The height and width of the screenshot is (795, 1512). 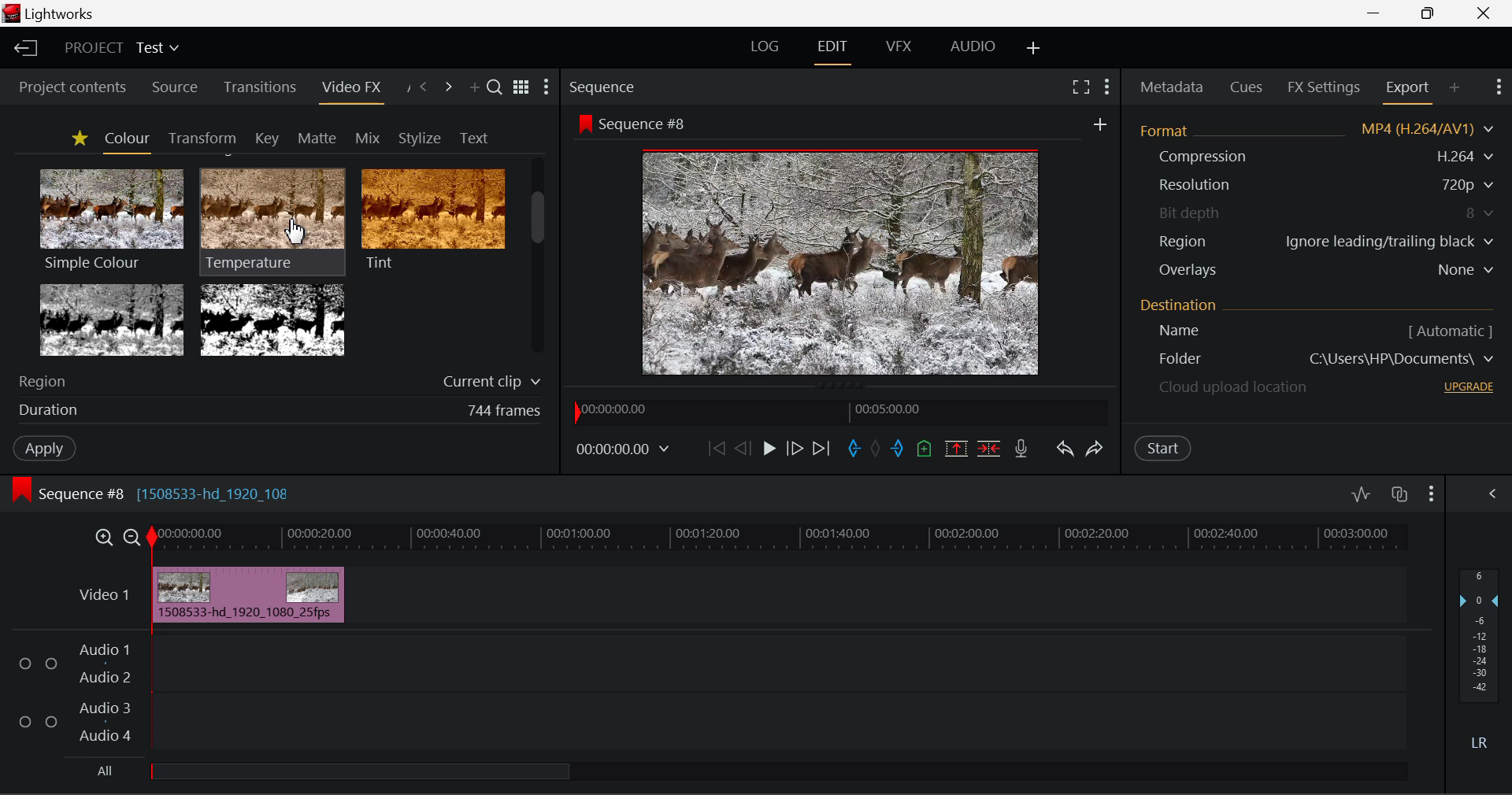 I want to click on Sequence Preview Screen, so click(x=844, y=261).